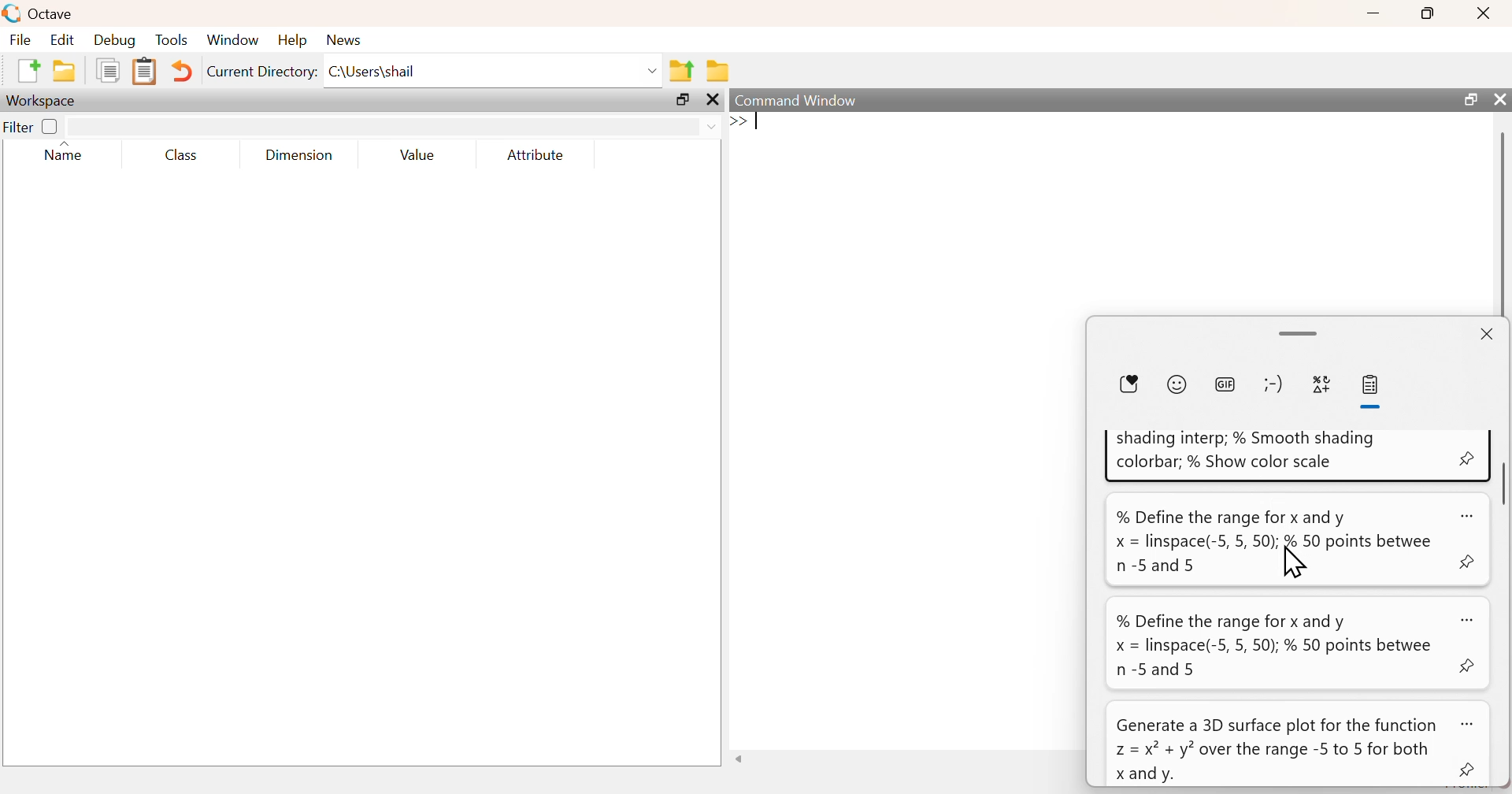 This screenshot has width=1512, height=794. Describe the element at coordinates (20, 39) in the screenshot. I see `File` at that location.